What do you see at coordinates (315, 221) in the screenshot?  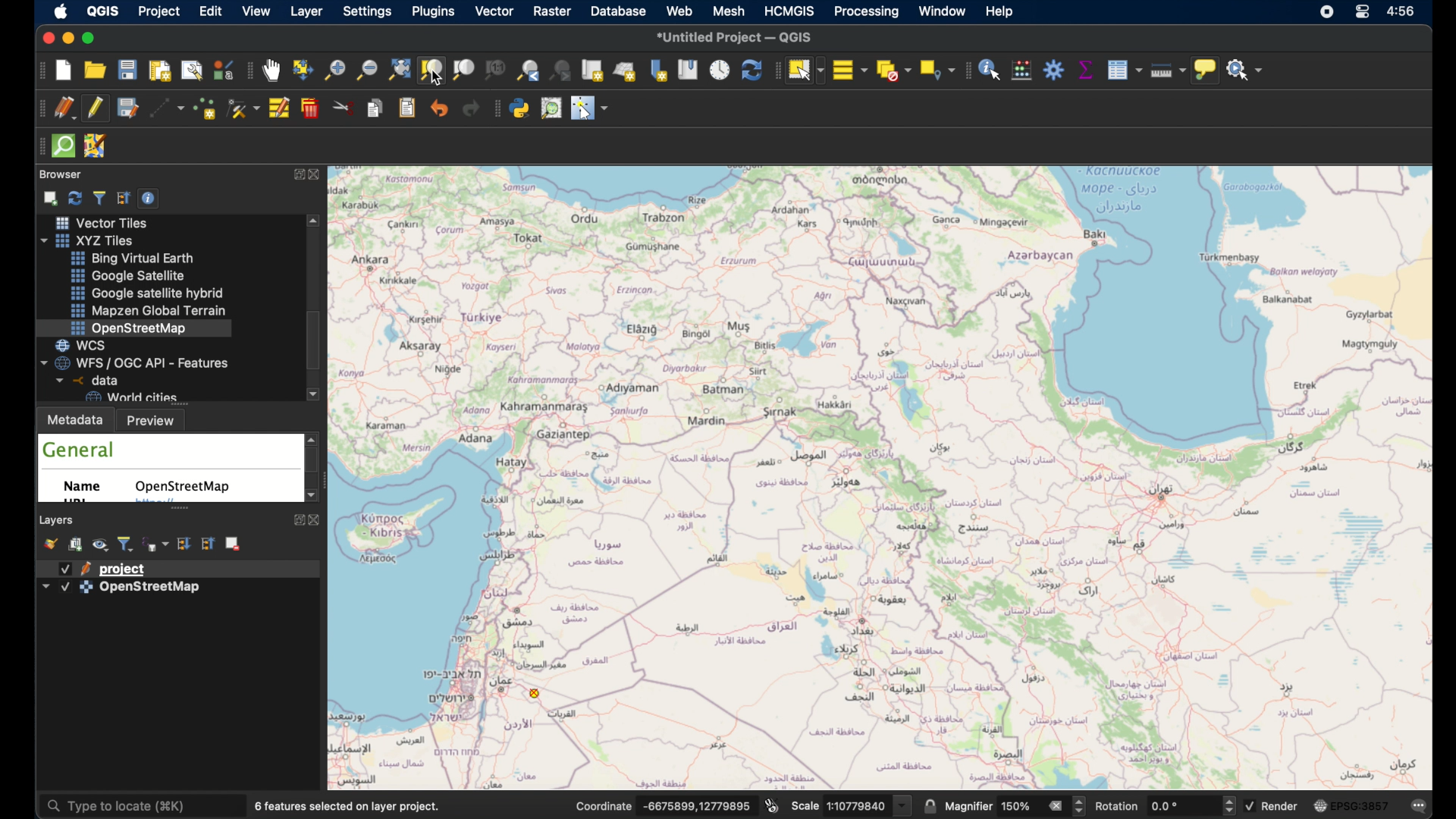 I see `scroll up arrow` at bounding box center [315, 221].